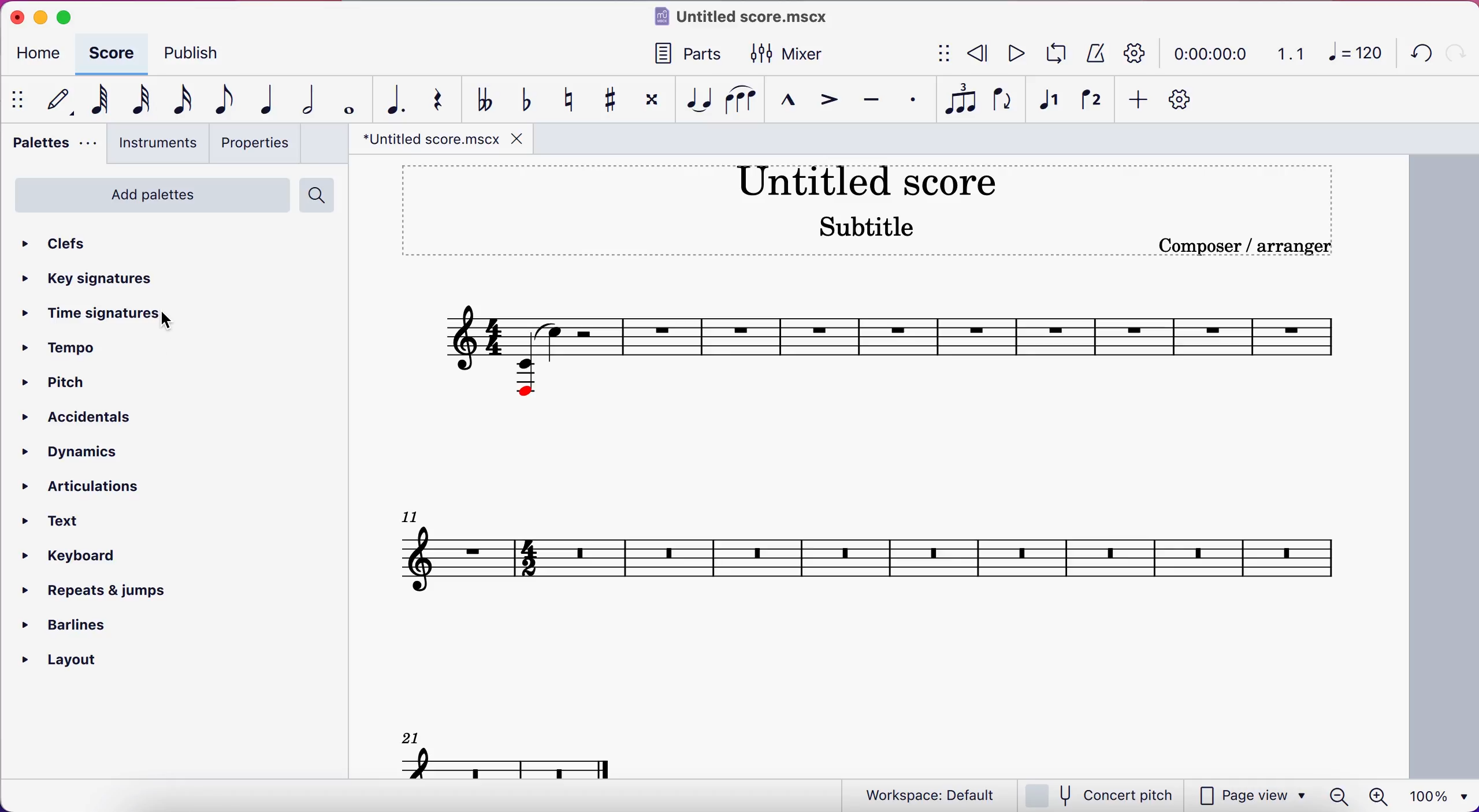  Describe the element at coordinates (114, 53) in the screenshot. I see `score` at that location.